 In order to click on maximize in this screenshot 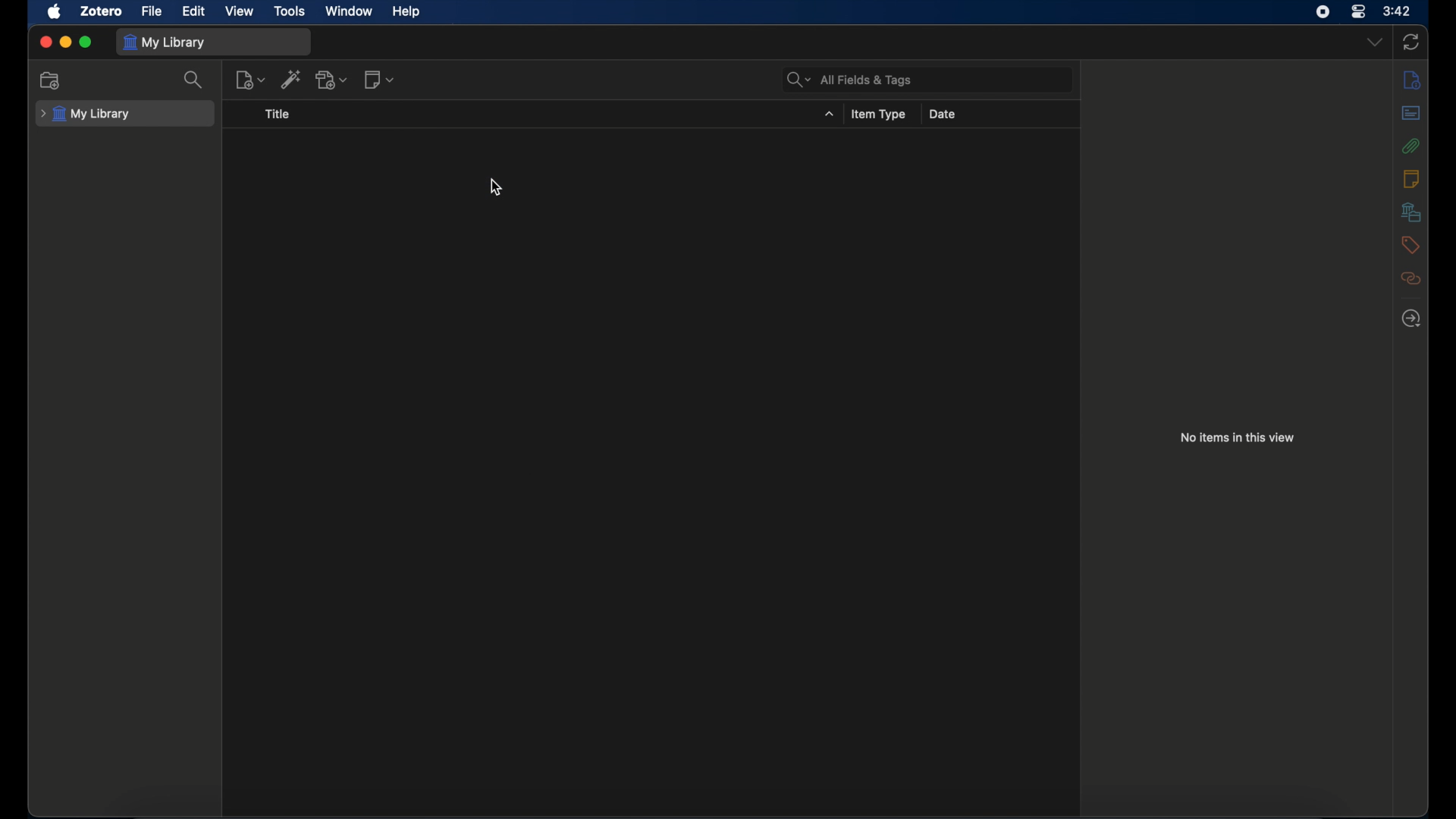, I will do `click(86, 42)`.